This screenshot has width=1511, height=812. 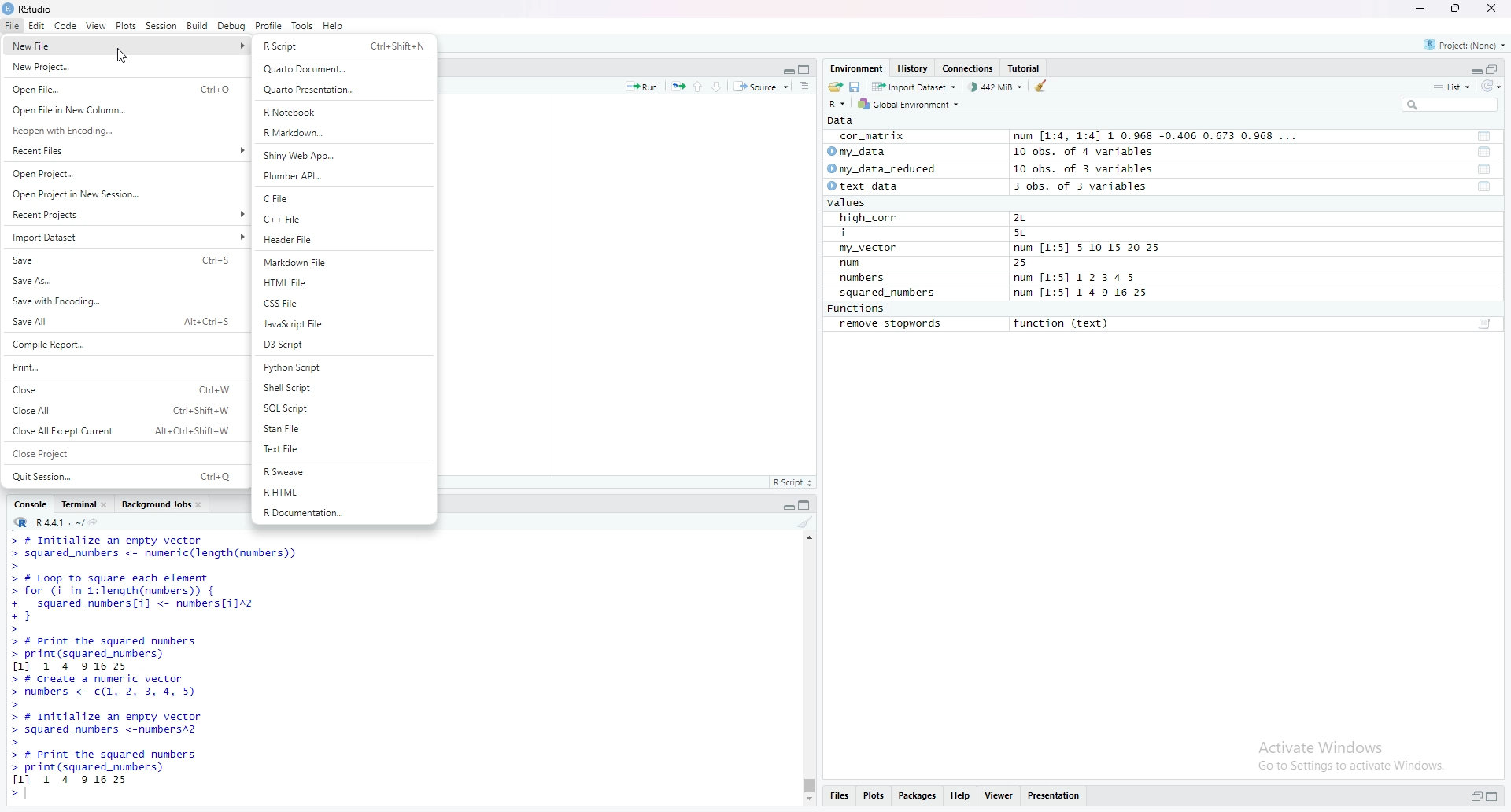 I want to click on Build, so click(x=198, y=28).